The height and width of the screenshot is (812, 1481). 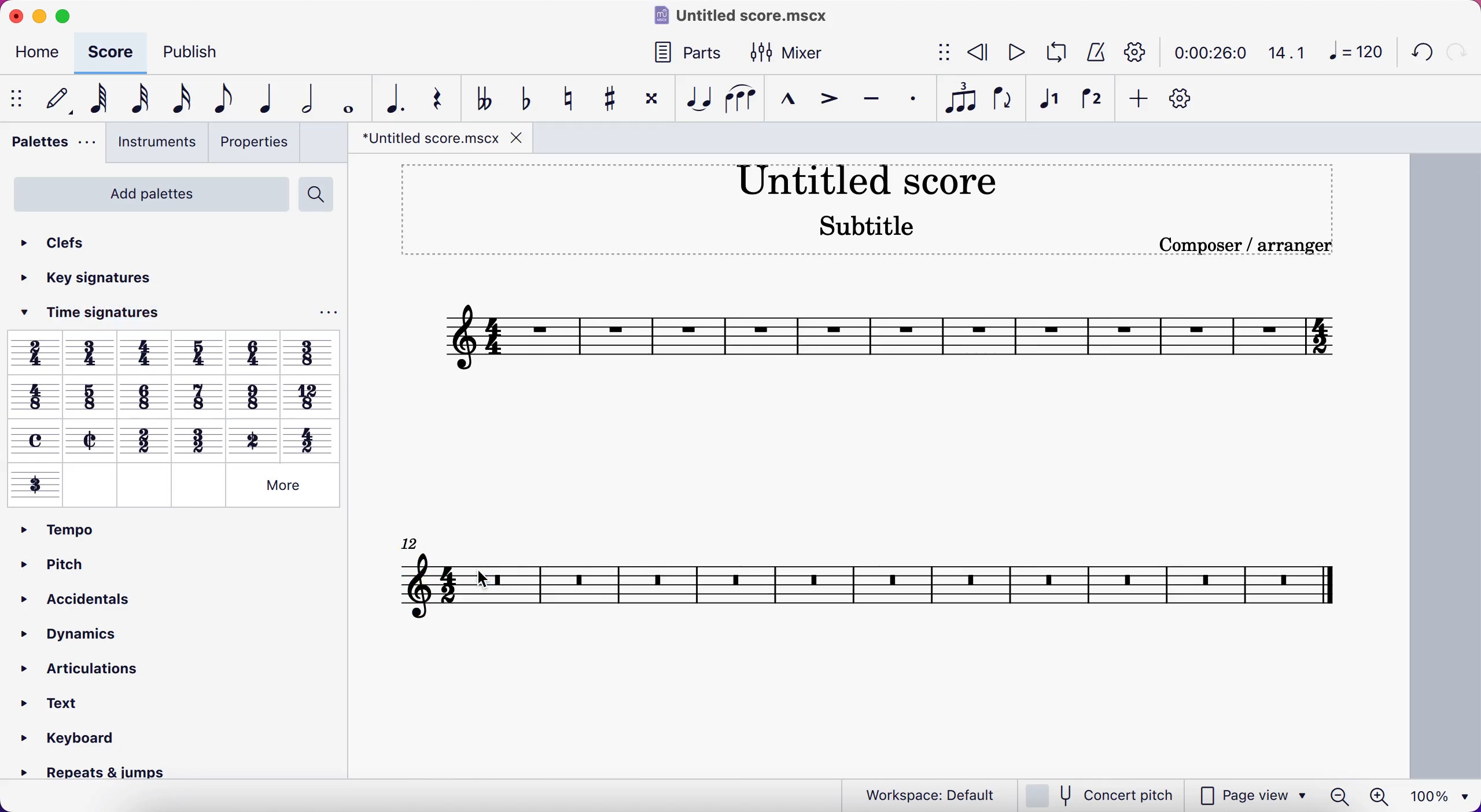 What do you see at coordinates (1184, 98) in the screenshot?
I see `customize toolbar` at bounding box center [1184, 98].